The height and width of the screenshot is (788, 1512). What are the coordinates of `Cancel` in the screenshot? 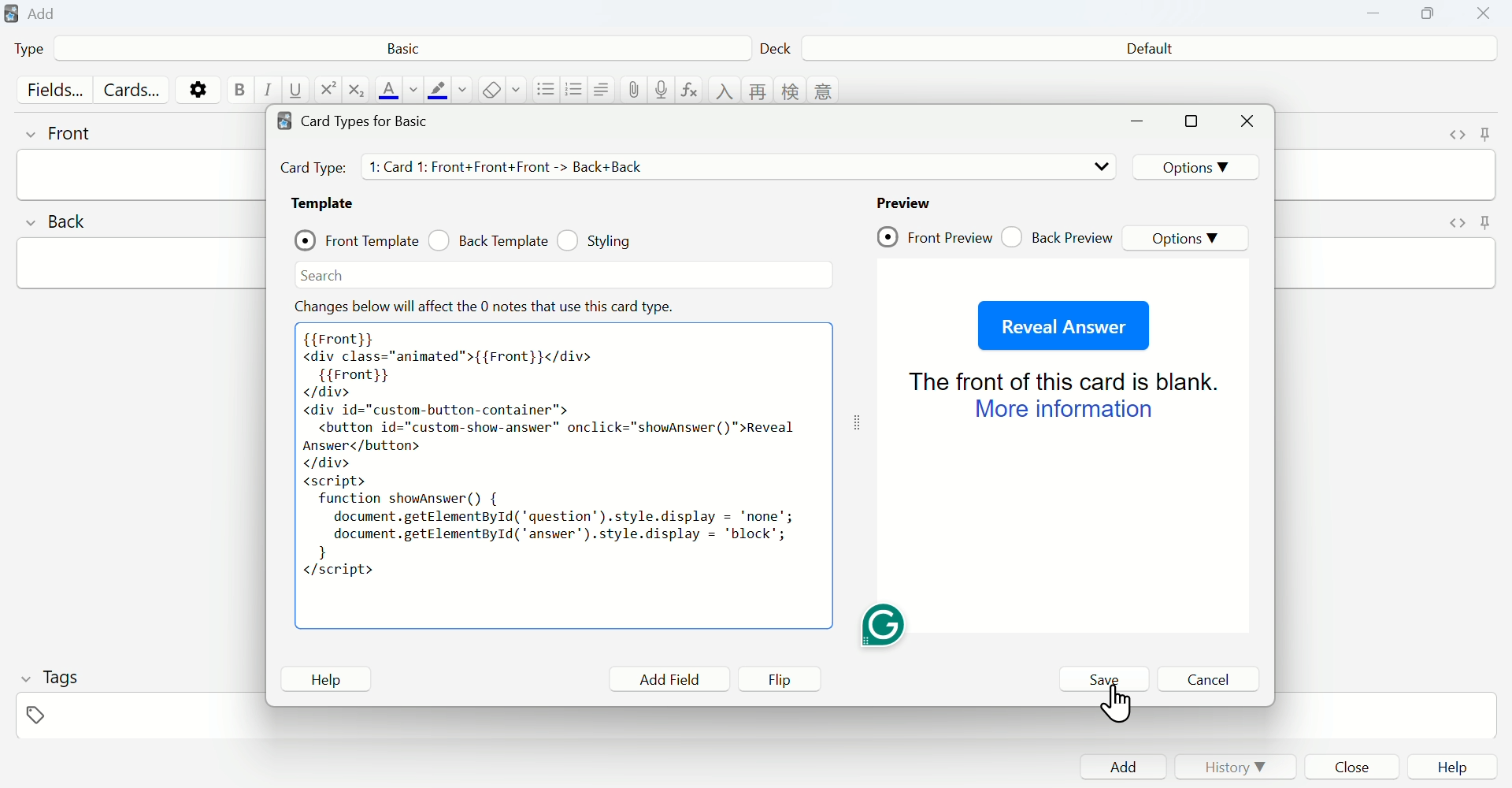 It's located at (1209, 679).